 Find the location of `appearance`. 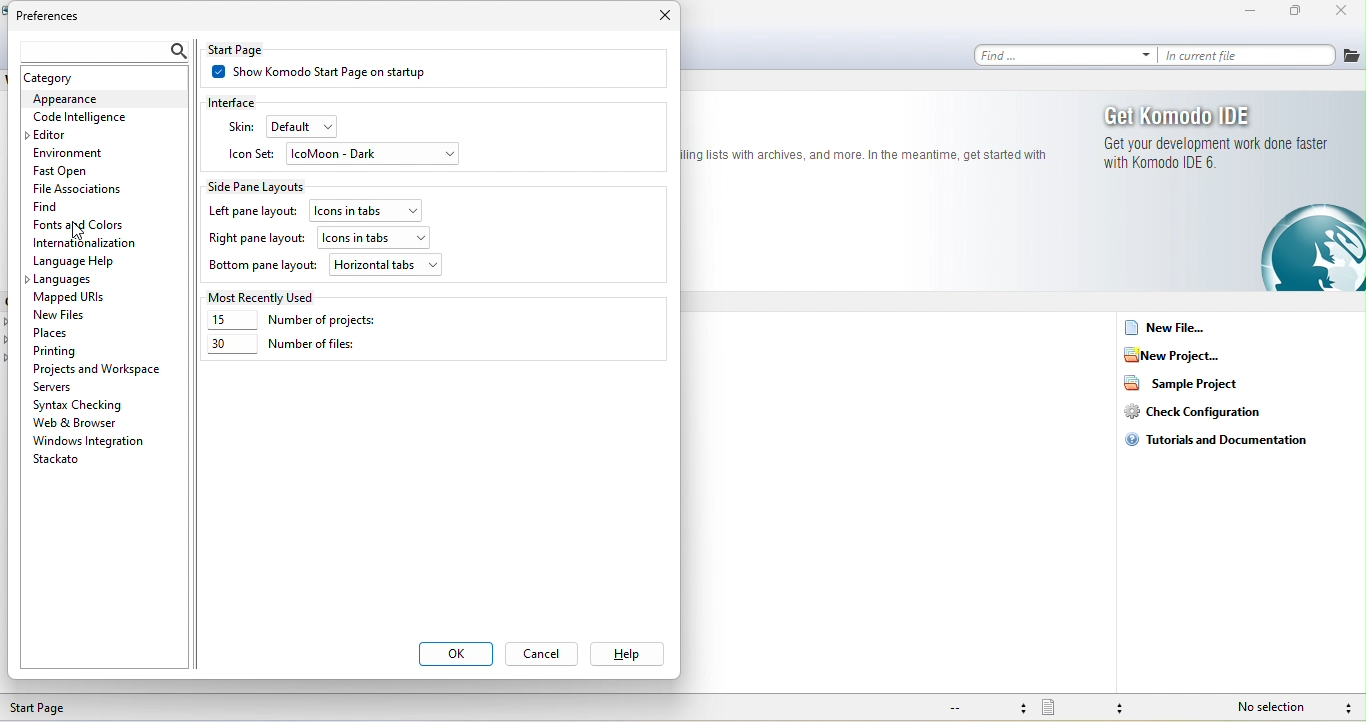

appearance is located at coordinates (86, 98).